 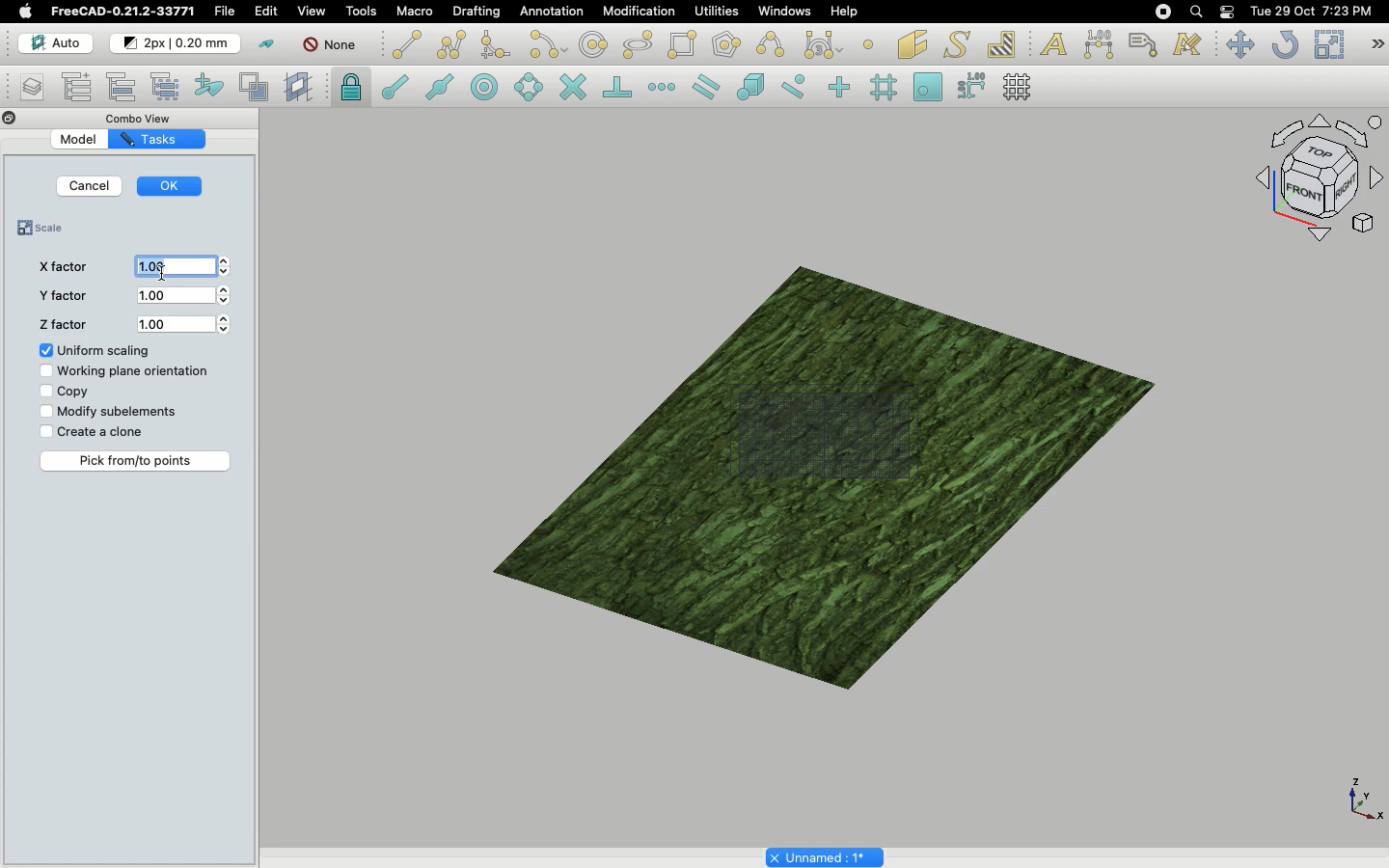 What do you see at coordinates (1053, 42) in the screenshot?
I see `Text` at bounding box center [1053, 42].